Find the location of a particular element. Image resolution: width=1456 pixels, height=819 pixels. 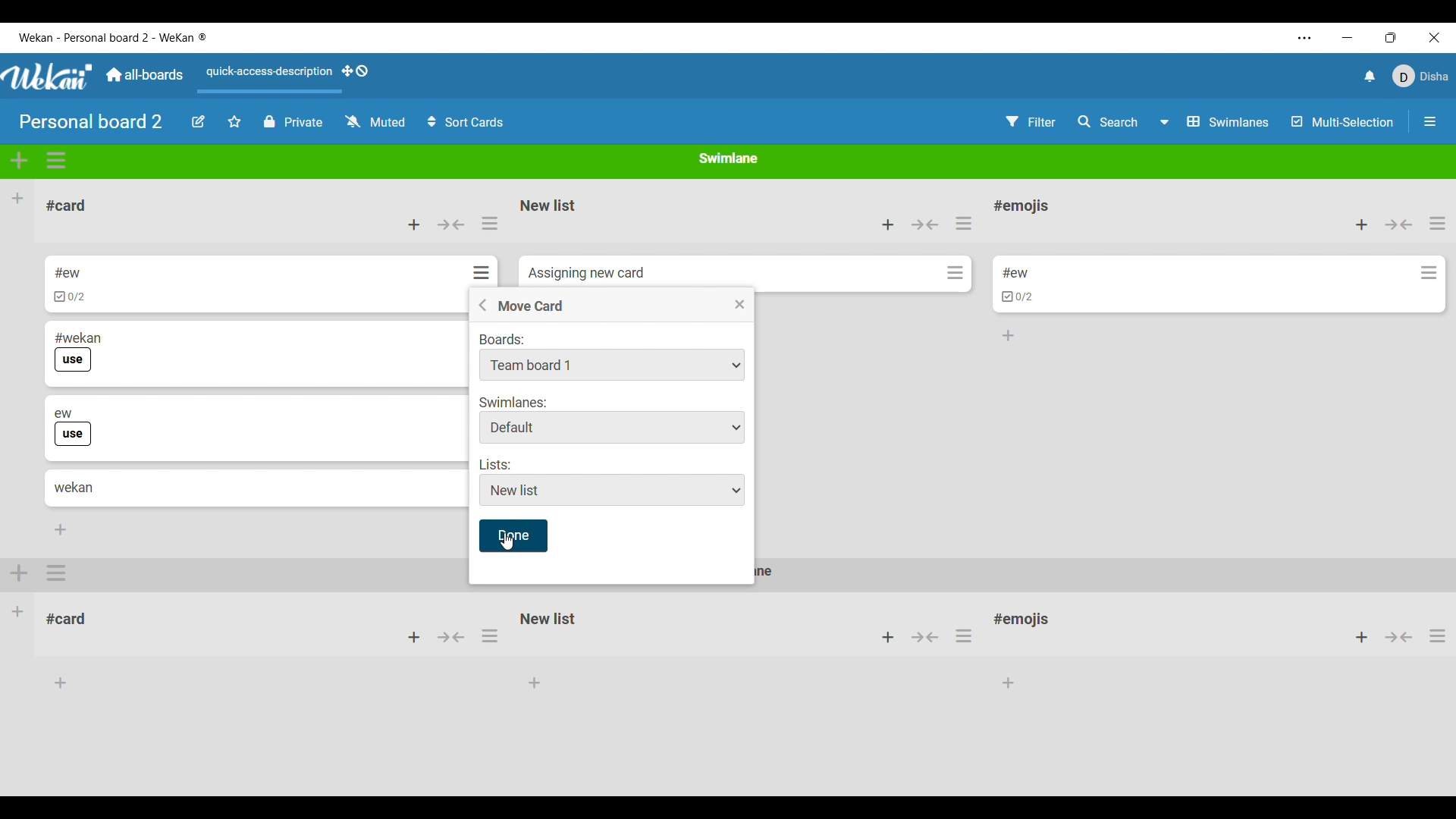

Cursor saving inputs is located at coordinates (516, 537).